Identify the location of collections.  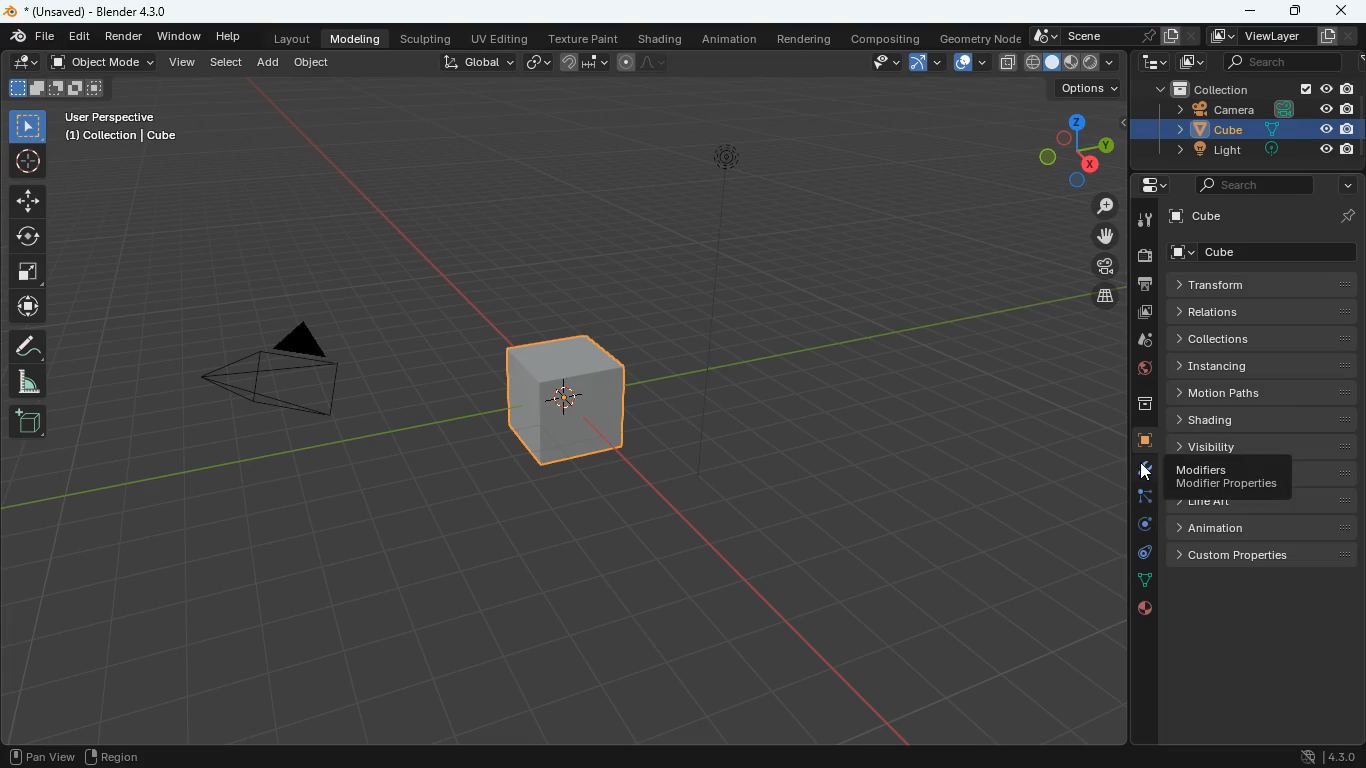
(1268, 339).